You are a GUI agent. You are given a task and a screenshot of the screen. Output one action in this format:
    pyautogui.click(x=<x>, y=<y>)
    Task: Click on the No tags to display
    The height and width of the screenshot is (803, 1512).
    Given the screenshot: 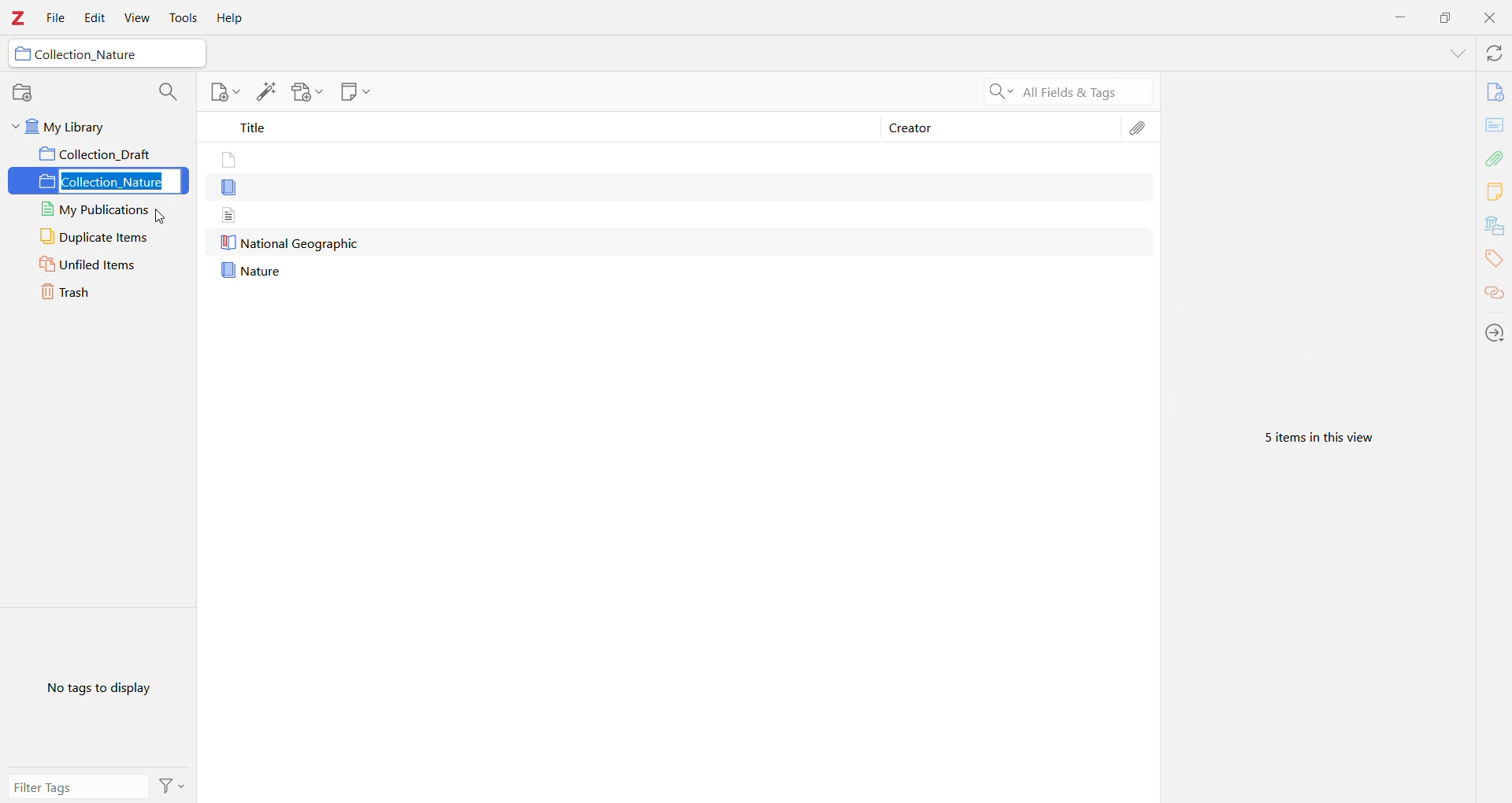 What is the action you would take?
    pyautogui.click(x=97, y=687)
    